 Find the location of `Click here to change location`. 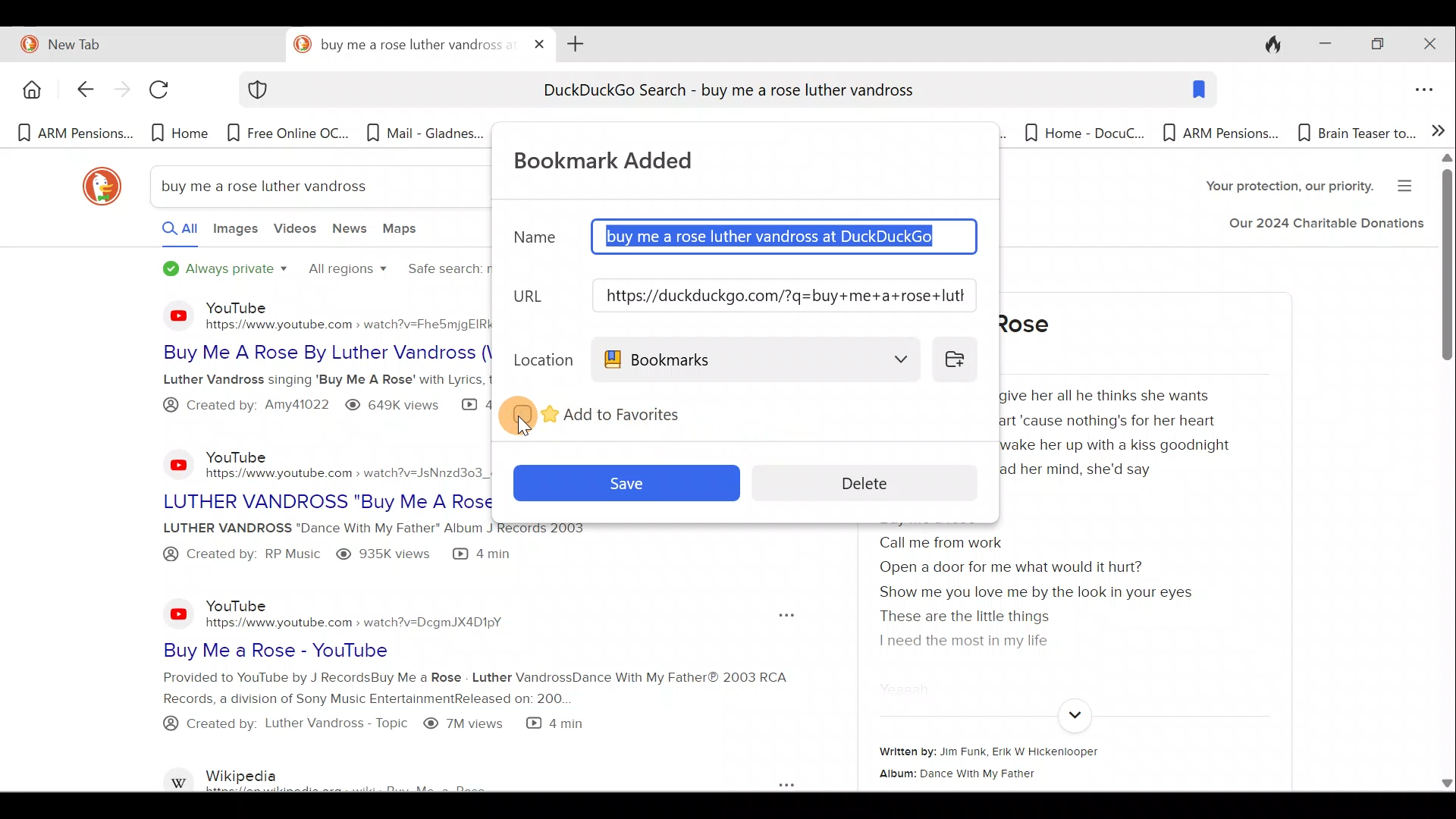

Click here to change location is located at coordinates (959, 358).